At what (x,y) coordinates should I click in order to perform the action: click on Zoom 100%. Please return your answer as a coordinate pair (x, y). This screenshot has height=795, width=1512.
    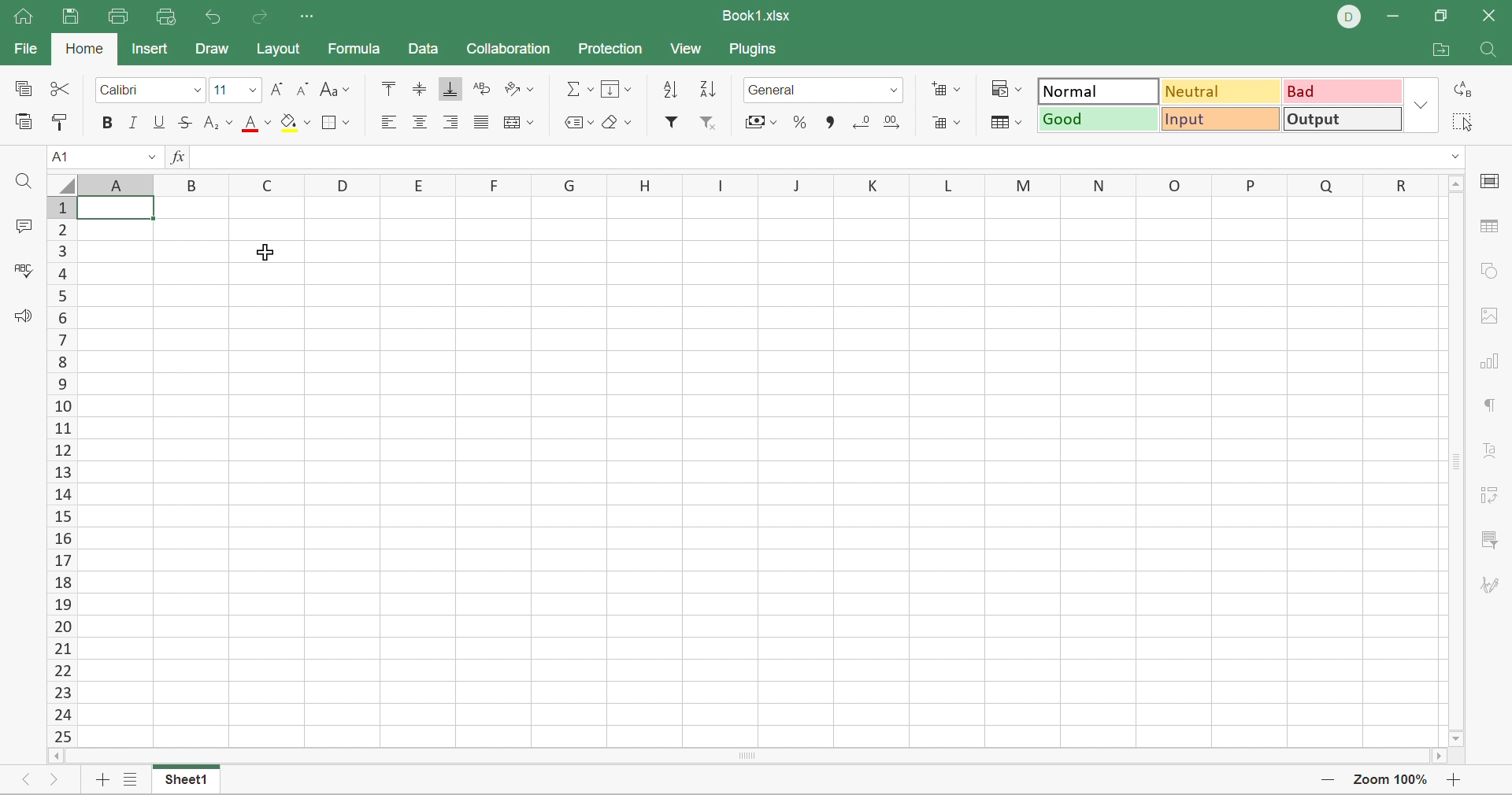
    Looking at the image, I should click on (1393, 778).